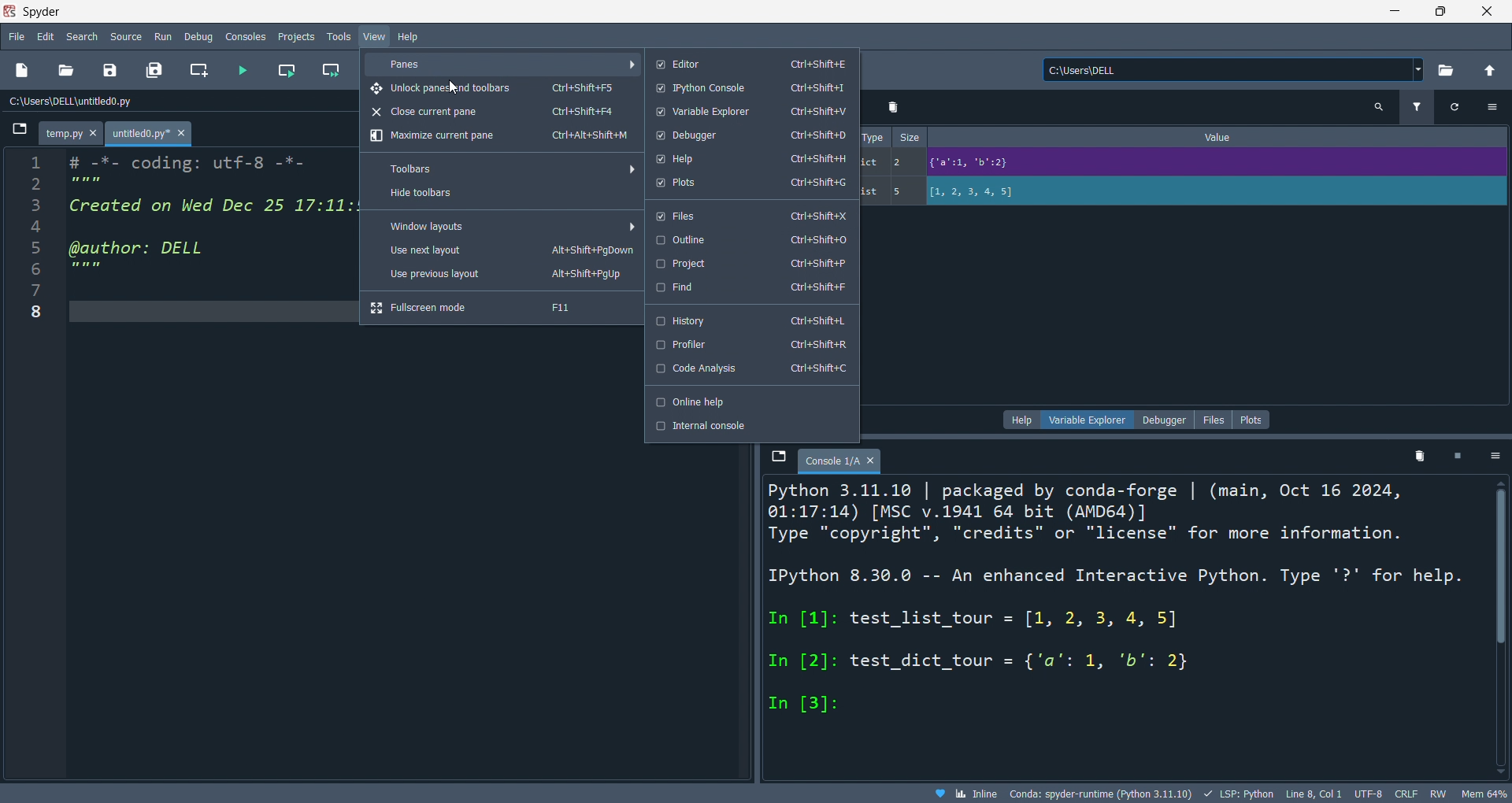  What do you see at coordinates (750, 158) in the screenshot?
I see `help` at bounding box center [750, 158].